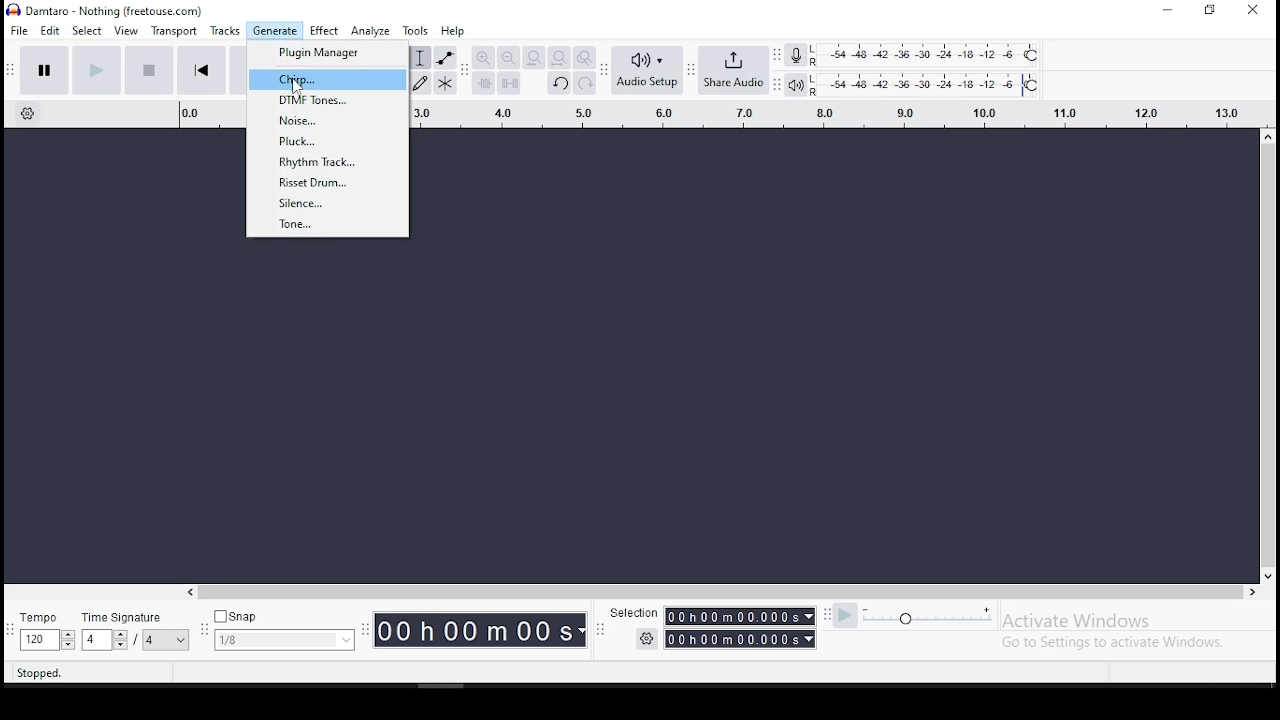 The image size is (1280, 720). What do you see at coordinates (325, 30) in the screenshot?
I see `effect` at bounding box center [325, 30].